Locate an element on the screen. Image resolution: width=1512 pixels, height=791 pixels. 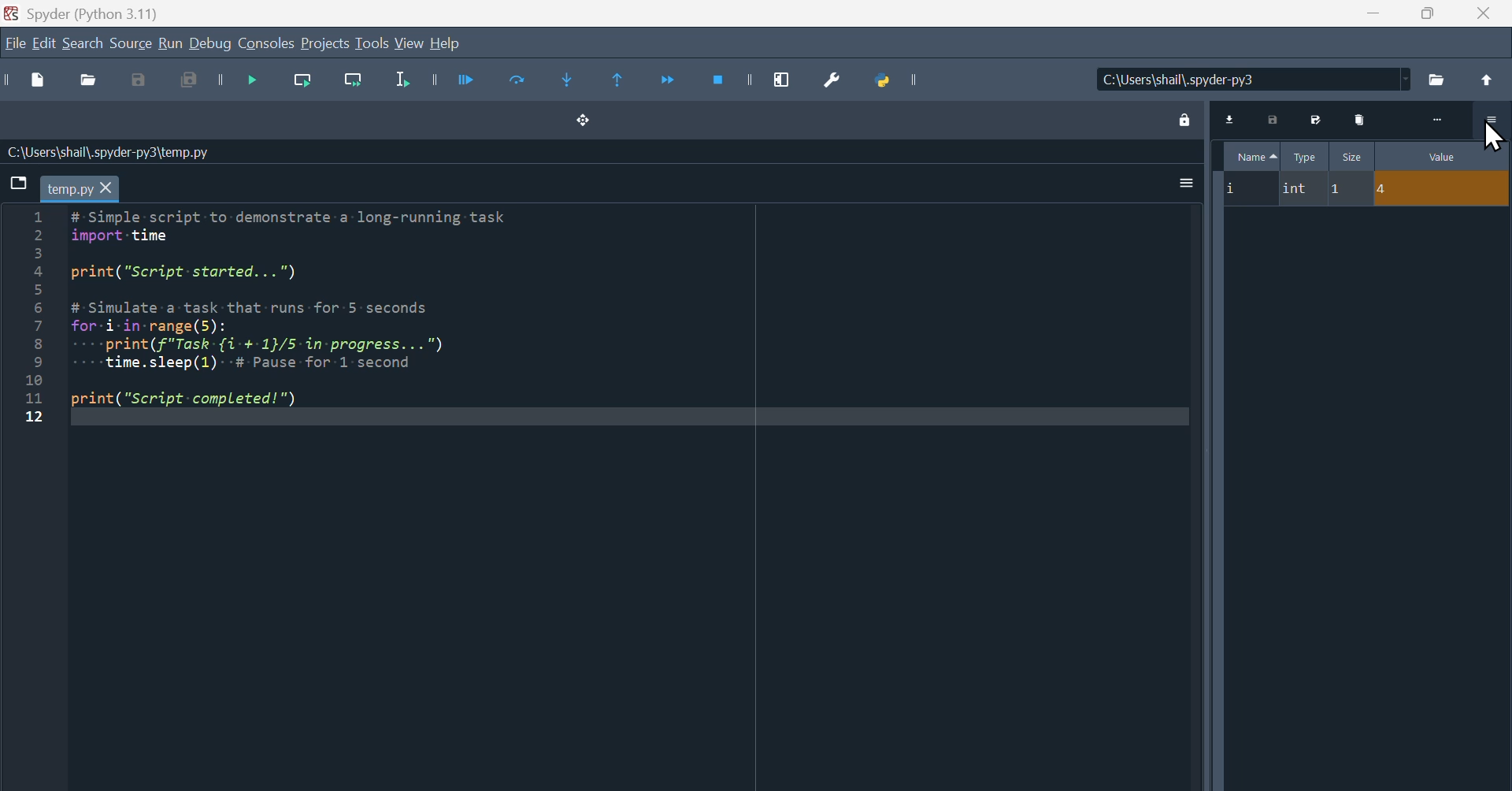
Python path manager is located at coordinates (885, 81).